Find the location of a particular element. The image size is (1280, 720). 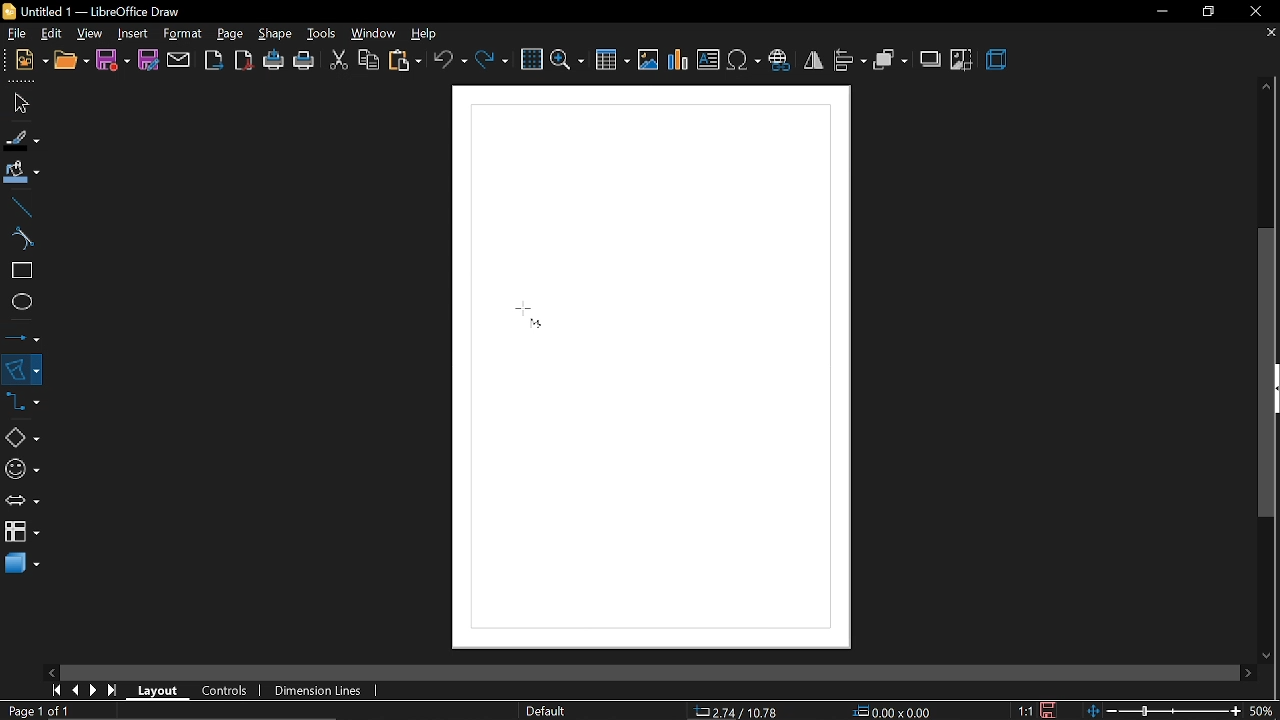

zoom is located at coordinates (569, 58).